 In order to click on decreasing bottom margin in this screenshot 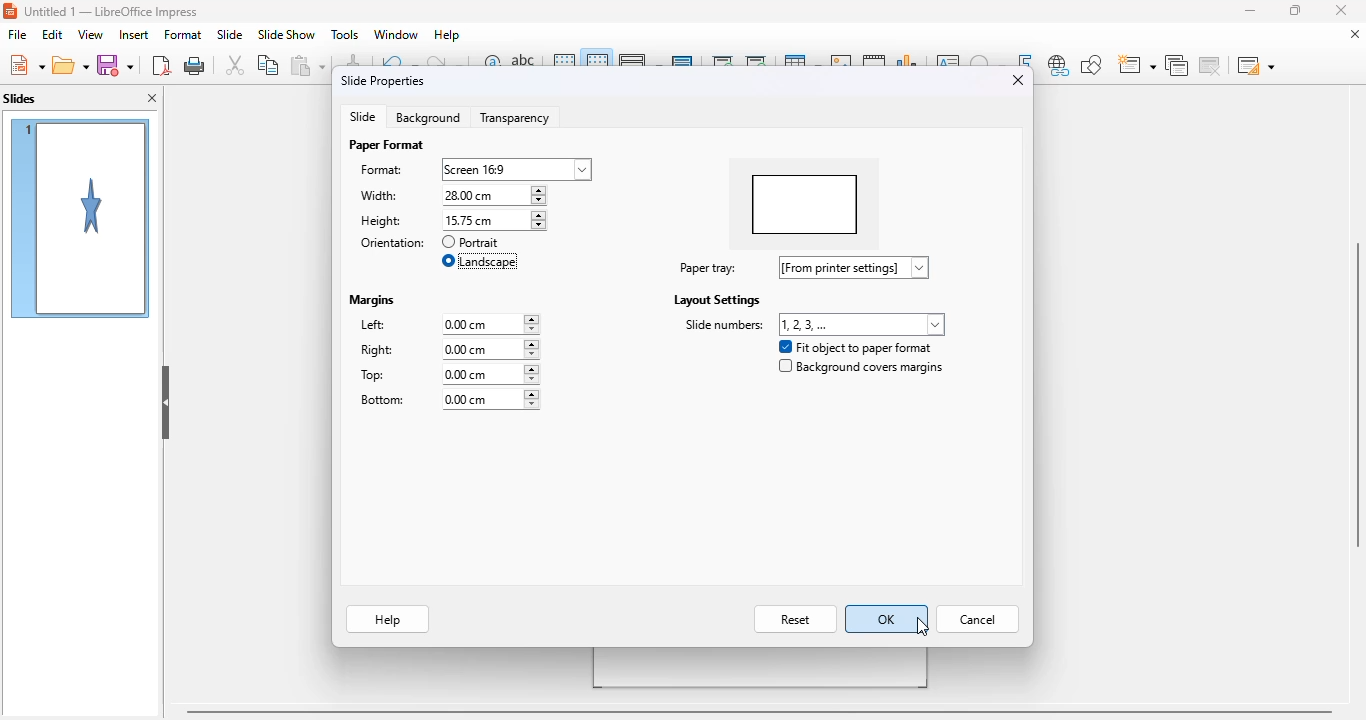, I will do `click(529, 405)`.